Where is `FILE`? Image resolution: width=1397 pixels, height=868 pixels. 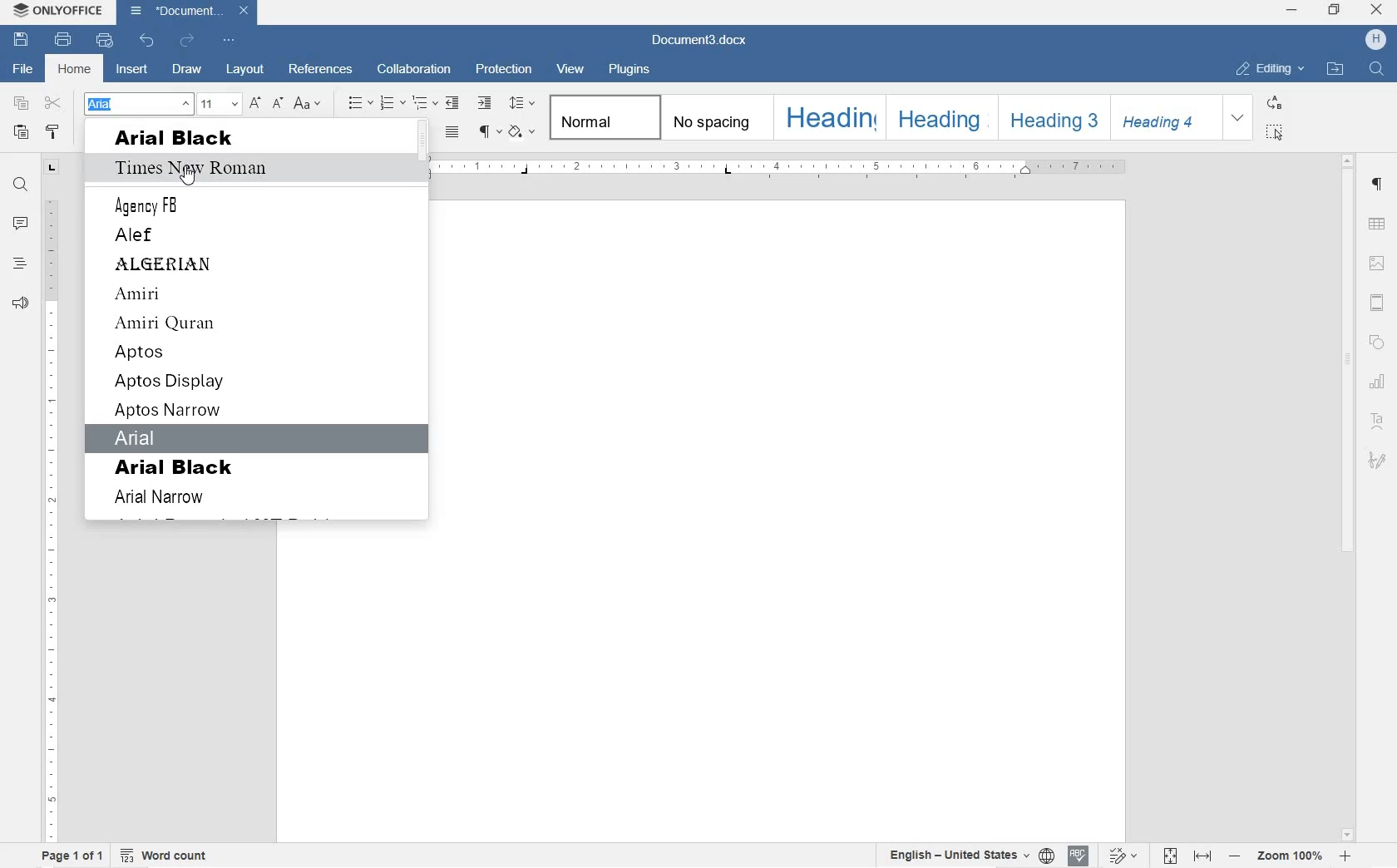
FILE is located at coordinates (25, 70).